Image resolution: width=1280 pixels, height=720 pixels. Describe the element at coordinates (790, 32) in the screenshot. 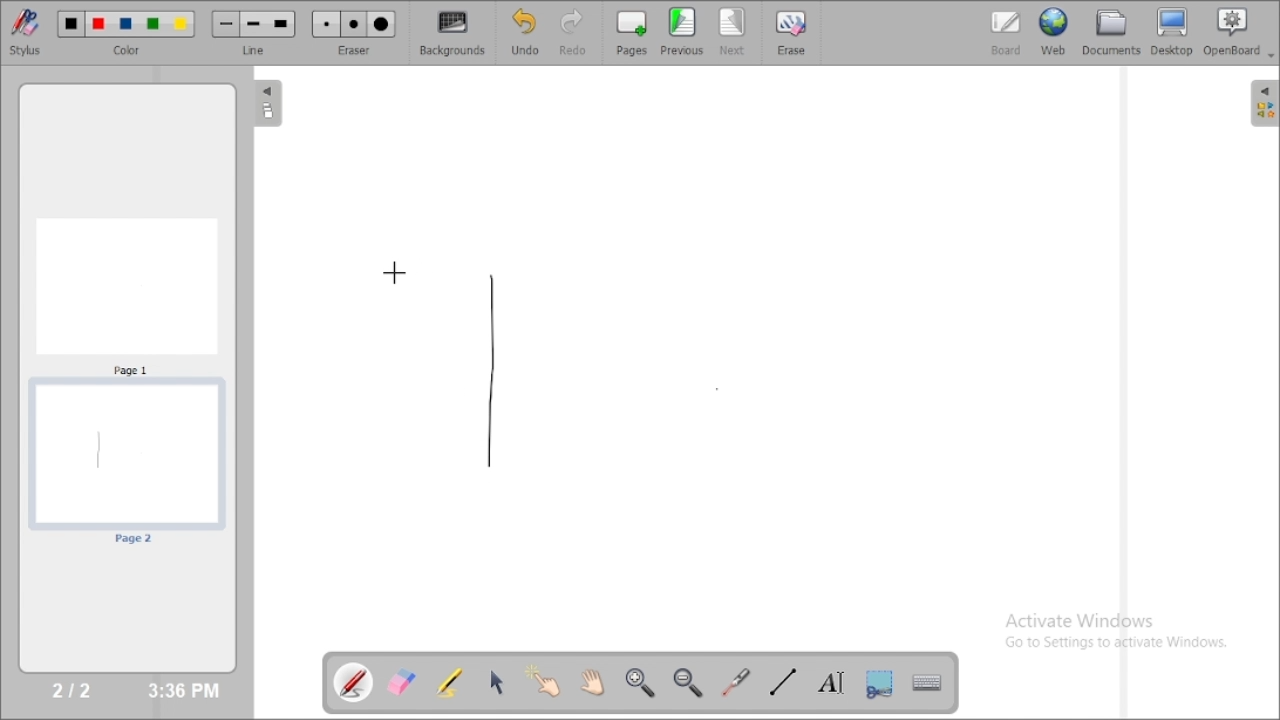

I see `erase` at that location.